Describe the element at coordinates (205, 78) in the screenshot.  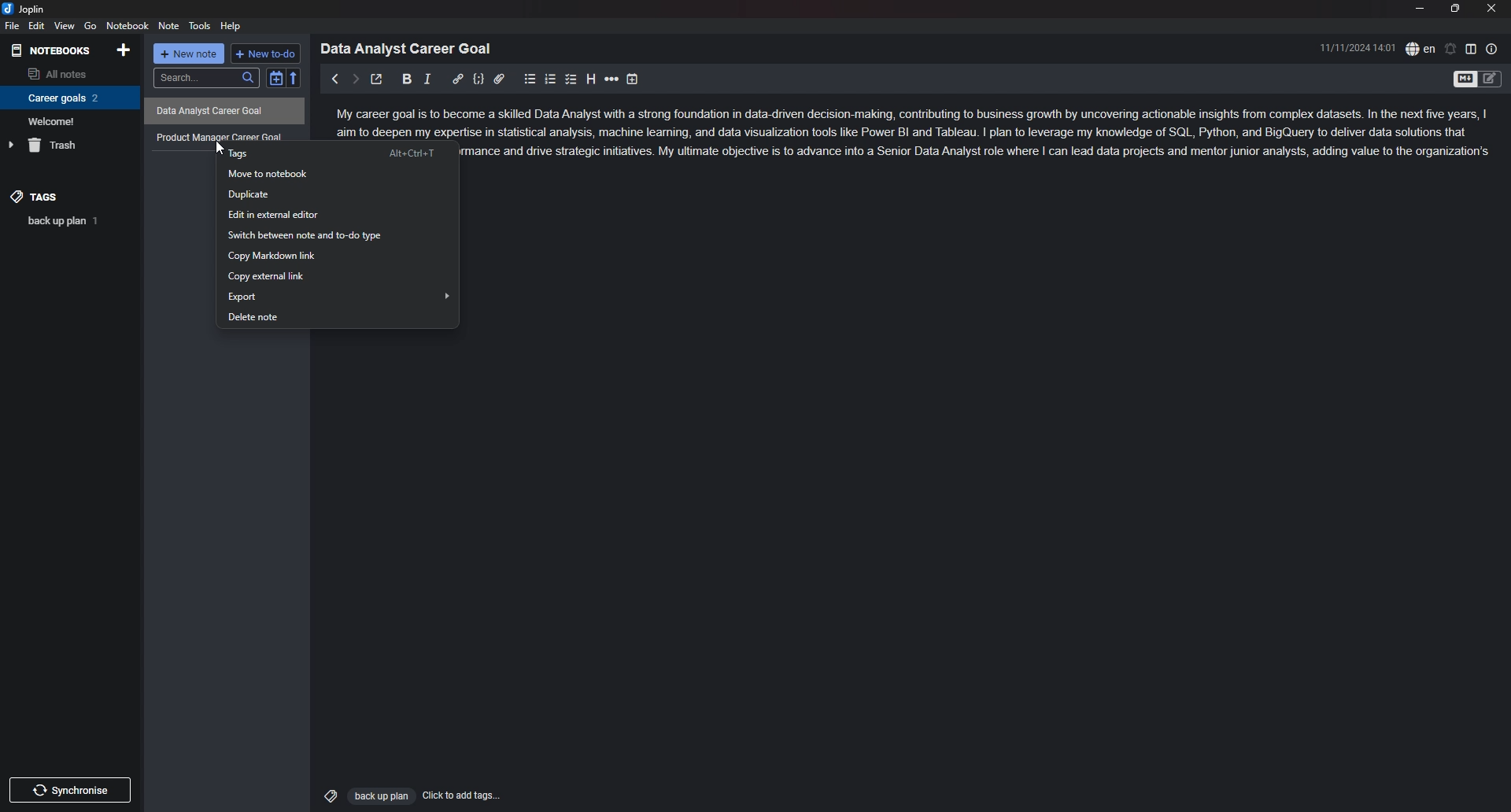
I see `search...` at that location.